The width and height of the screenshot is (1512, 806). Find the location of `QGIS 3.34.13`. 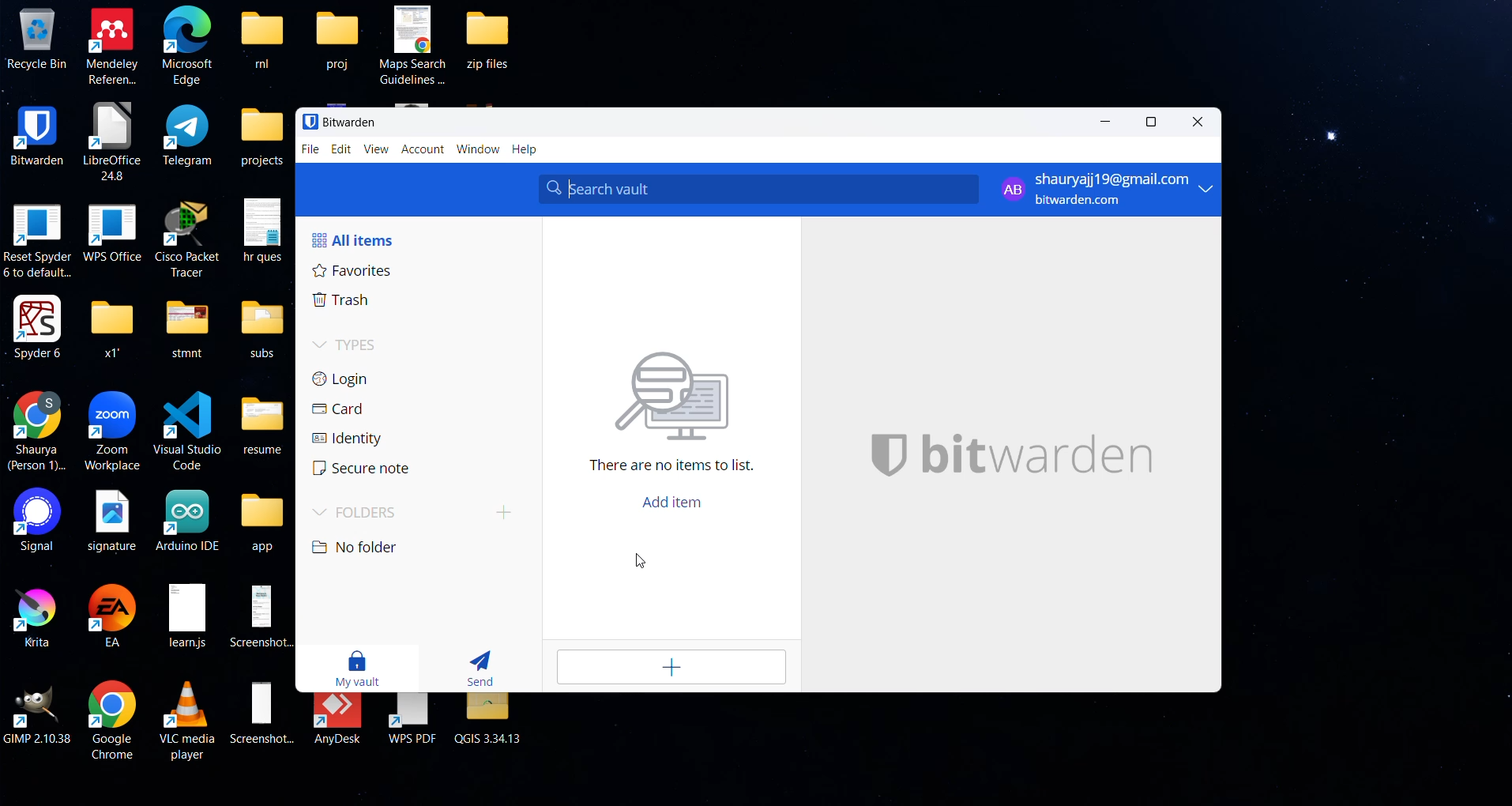

QGIS 3.34.13 is located at coordinates (491, 720).